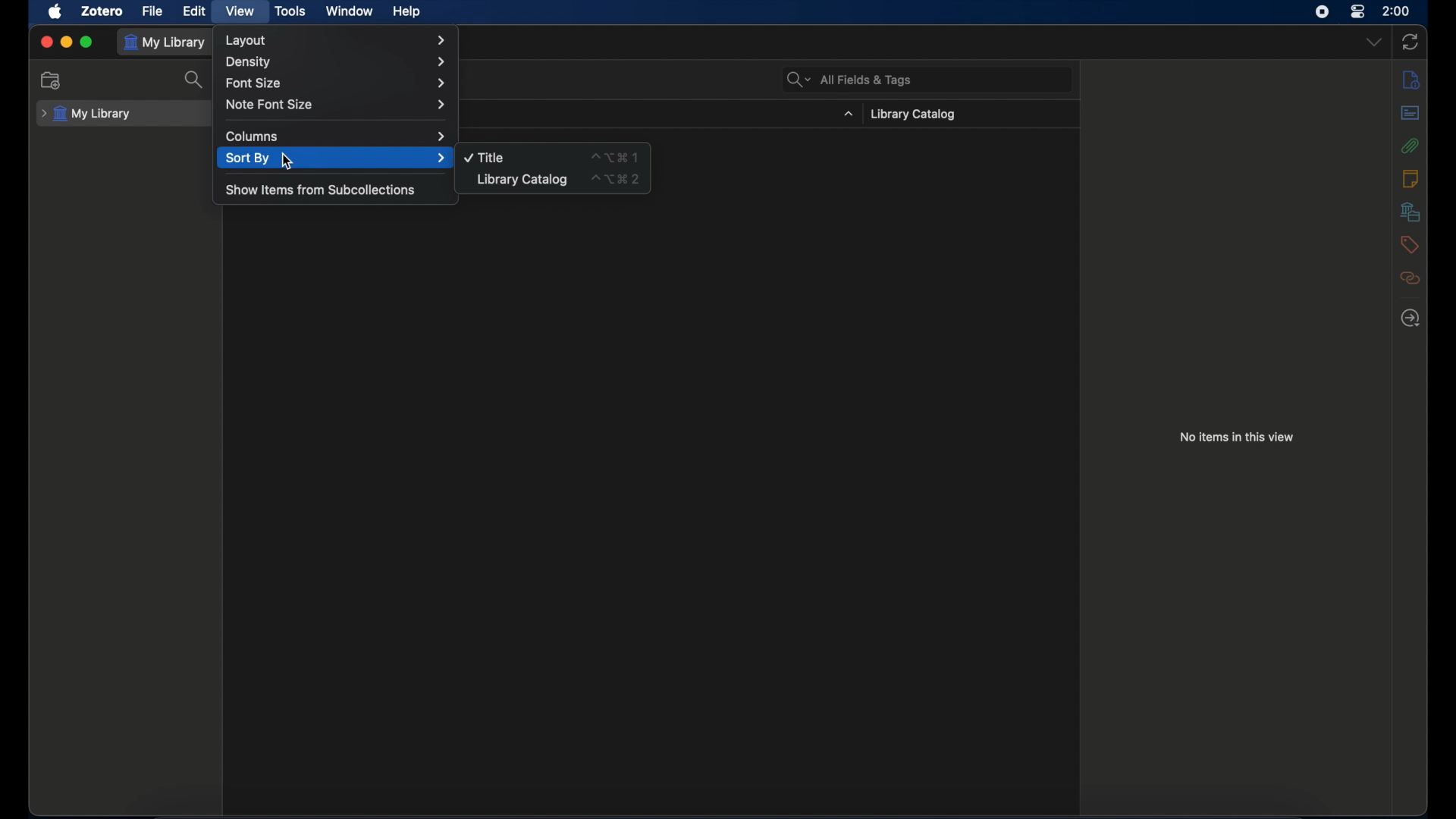  I want to click on my library, so click(86, 115).